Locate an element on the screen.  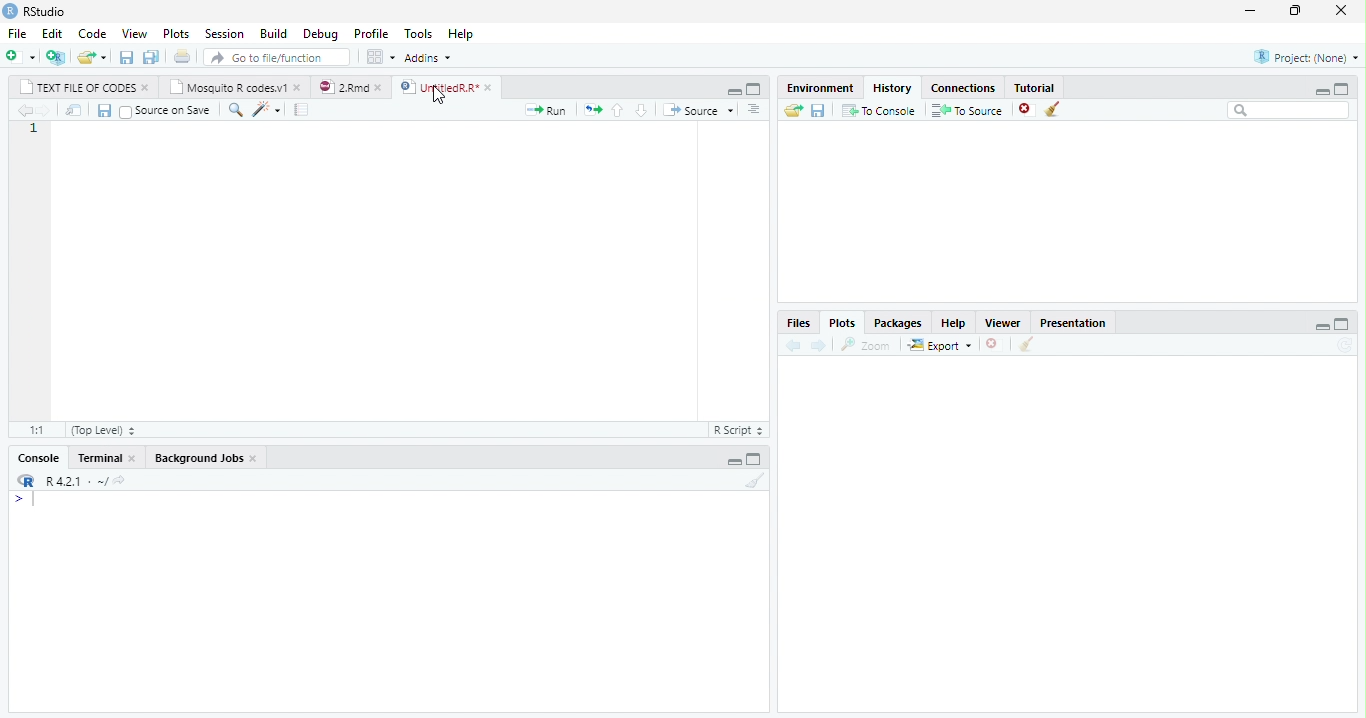
go to previous section is located at coordinates (619, 110).